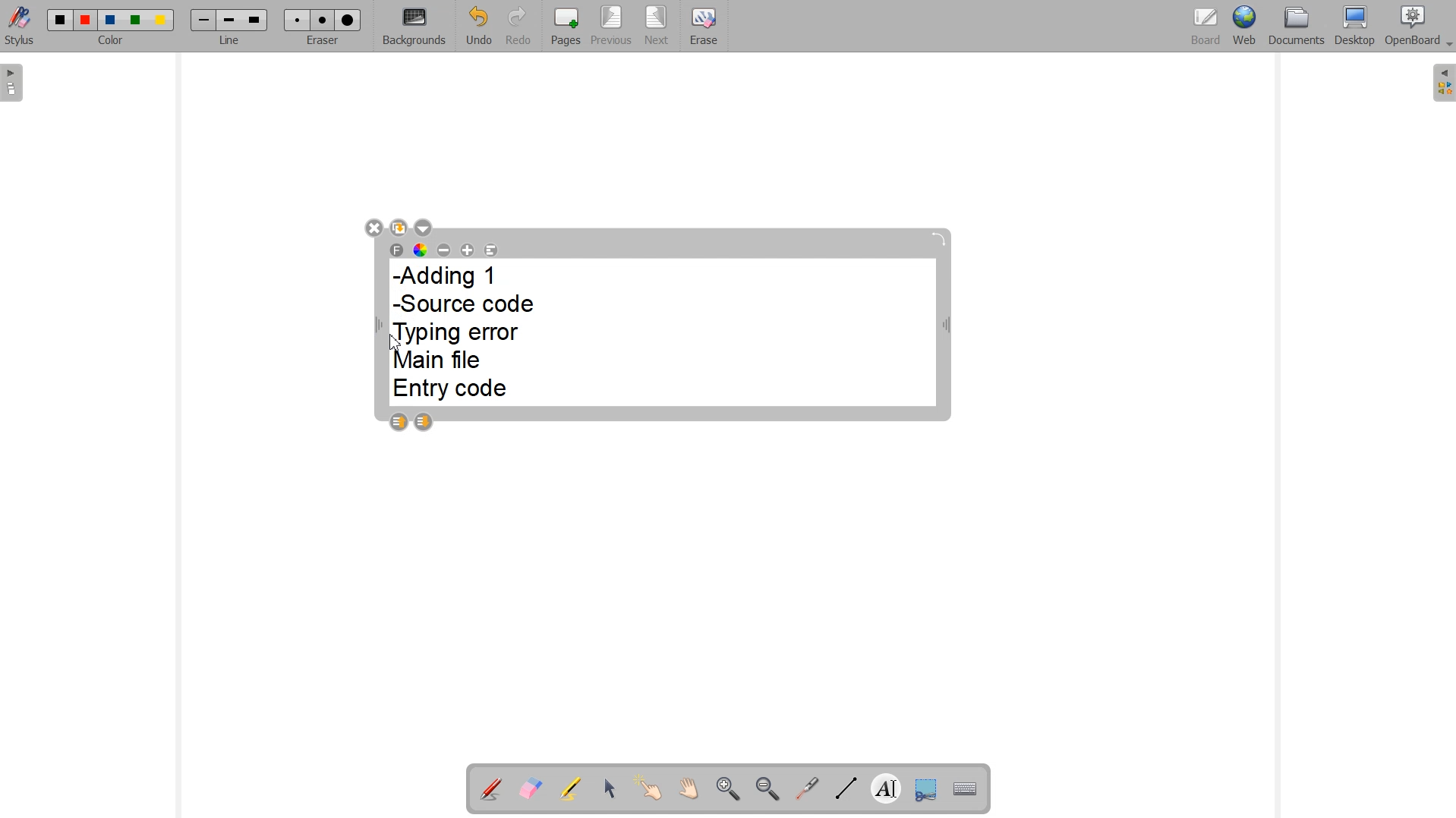  Describe the element at coordinates (61, 20) in the screenshot. I see `Color 1` at that location.